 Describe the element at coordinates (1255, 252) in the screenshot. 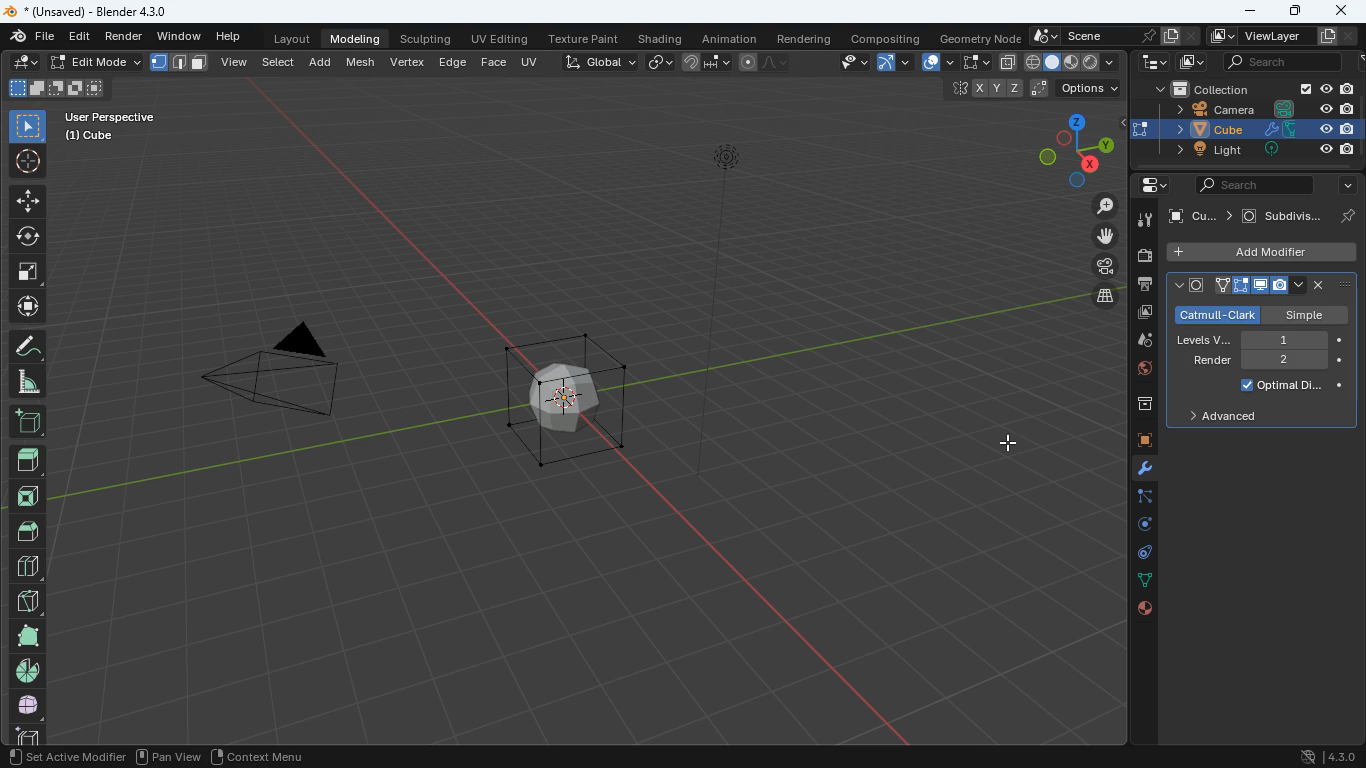

I see `add modifier` at that location.